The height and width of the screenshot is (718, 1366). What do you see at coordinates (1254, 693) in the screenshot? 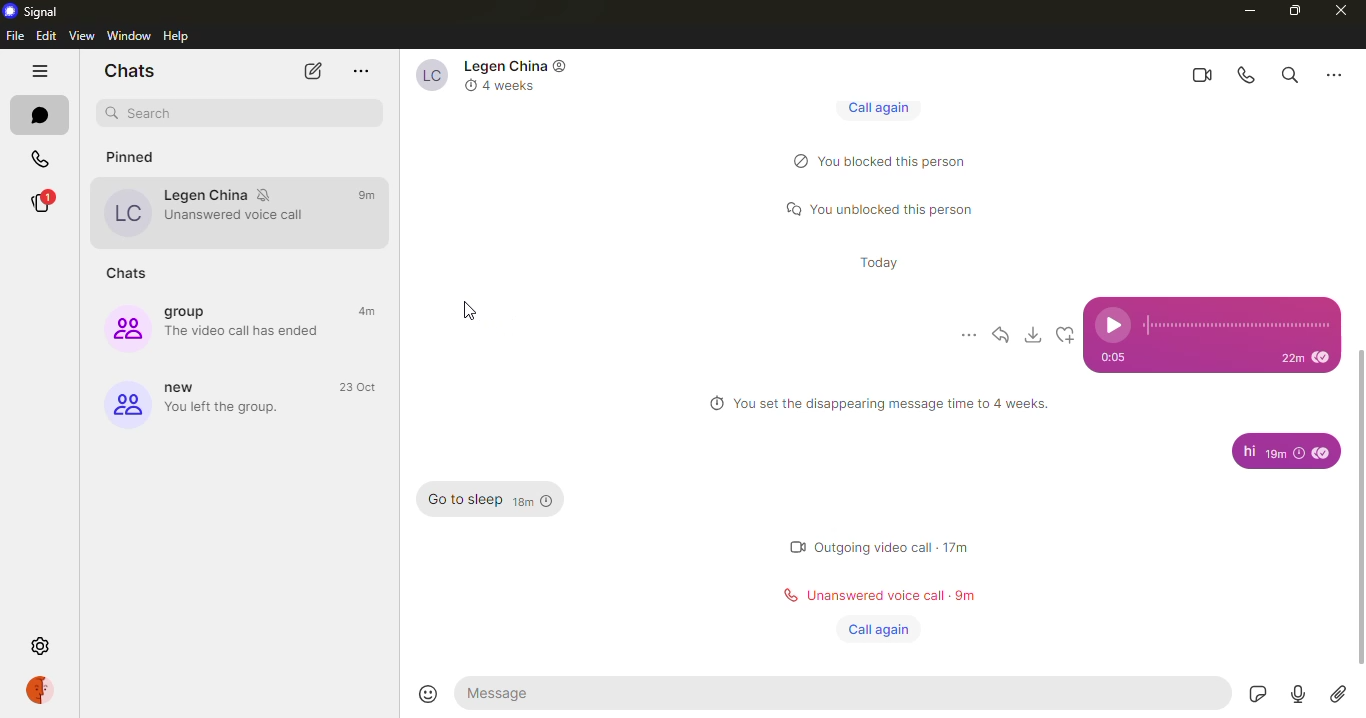
I see `sticker` at bounding box center [1254, 693].